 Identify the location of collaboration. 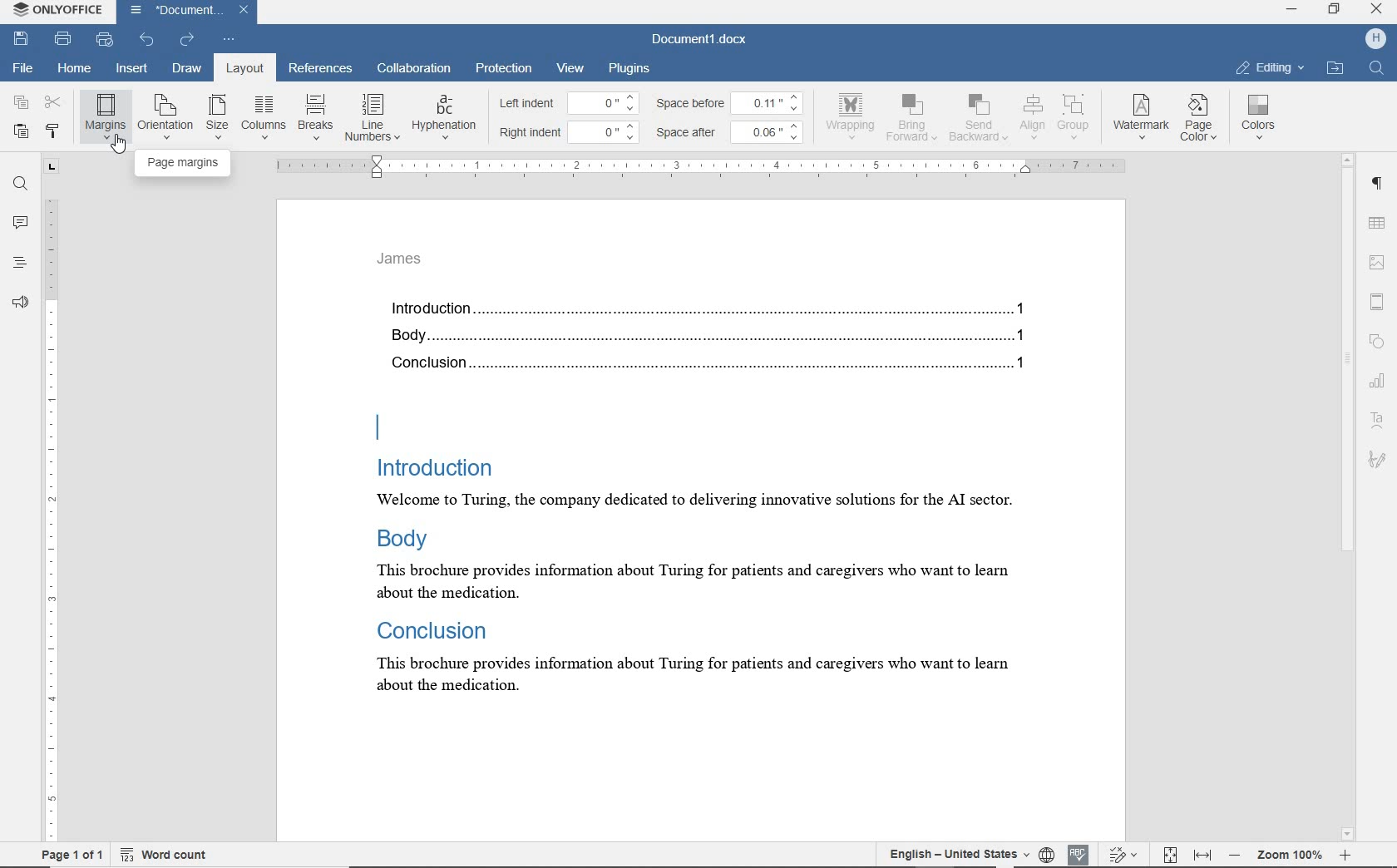
(415, 70).